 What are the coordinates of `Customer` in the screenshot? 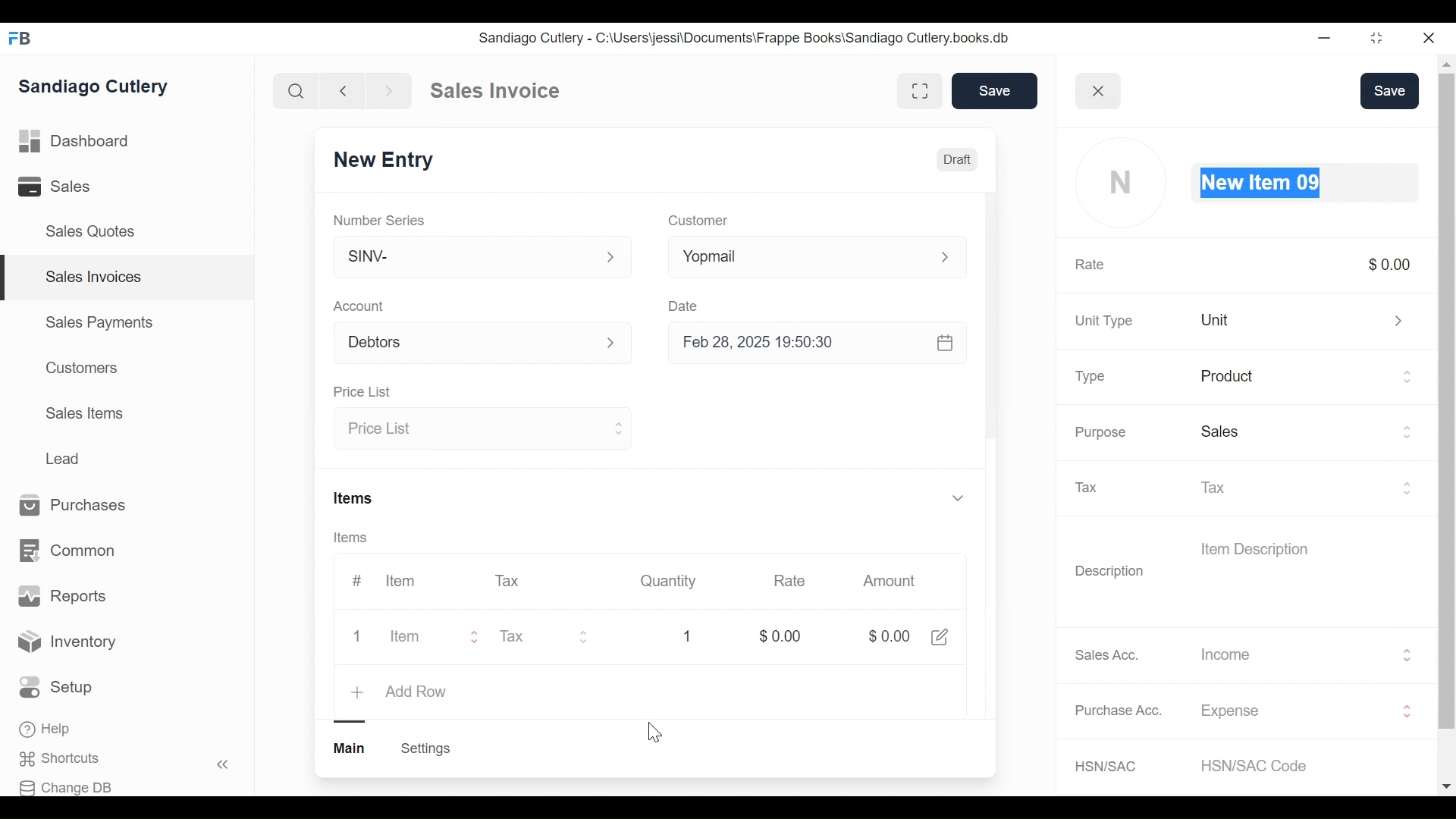 It's located at (703, 220).